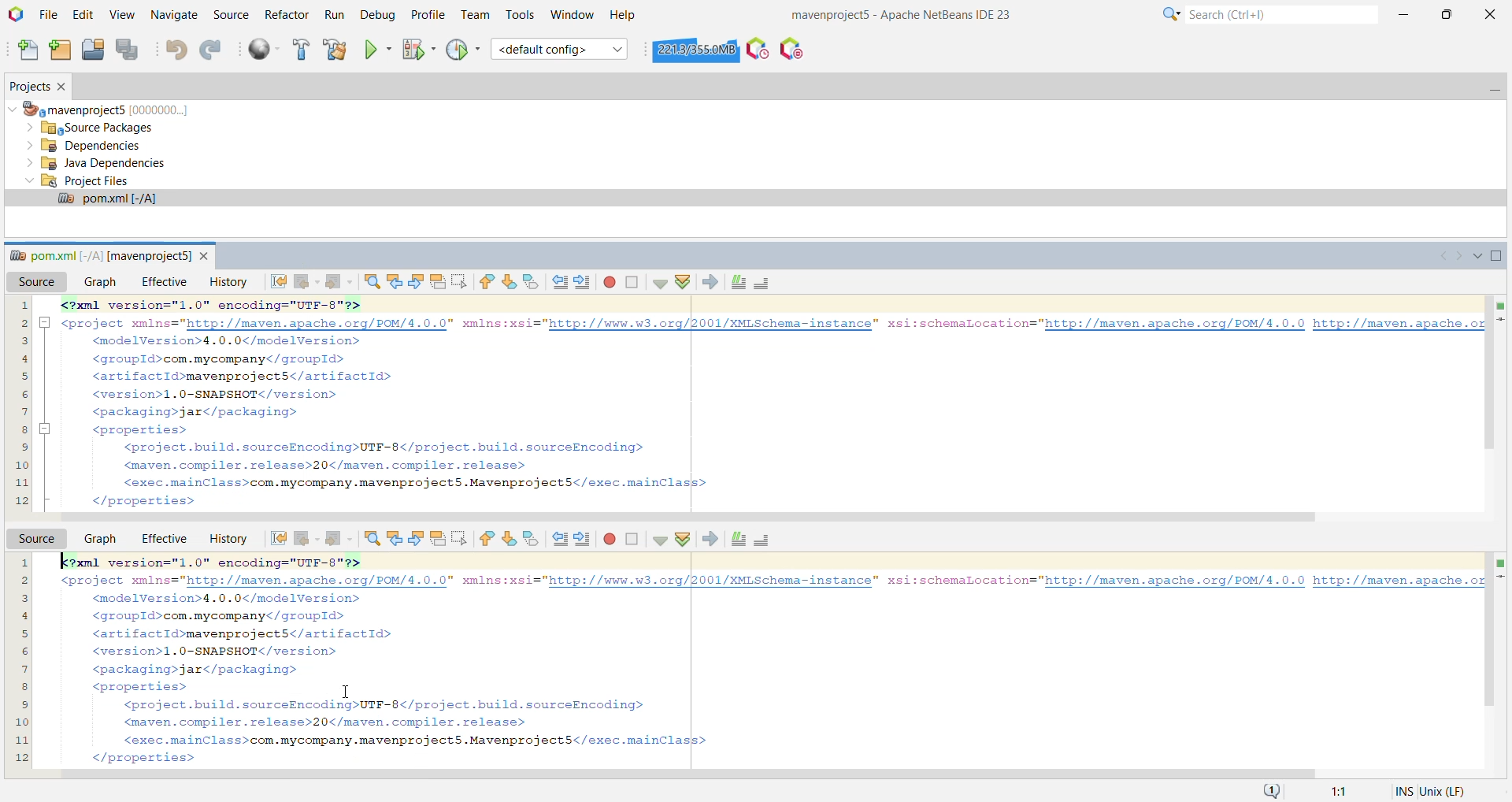  I want to click on Check file, so click(658, 281).